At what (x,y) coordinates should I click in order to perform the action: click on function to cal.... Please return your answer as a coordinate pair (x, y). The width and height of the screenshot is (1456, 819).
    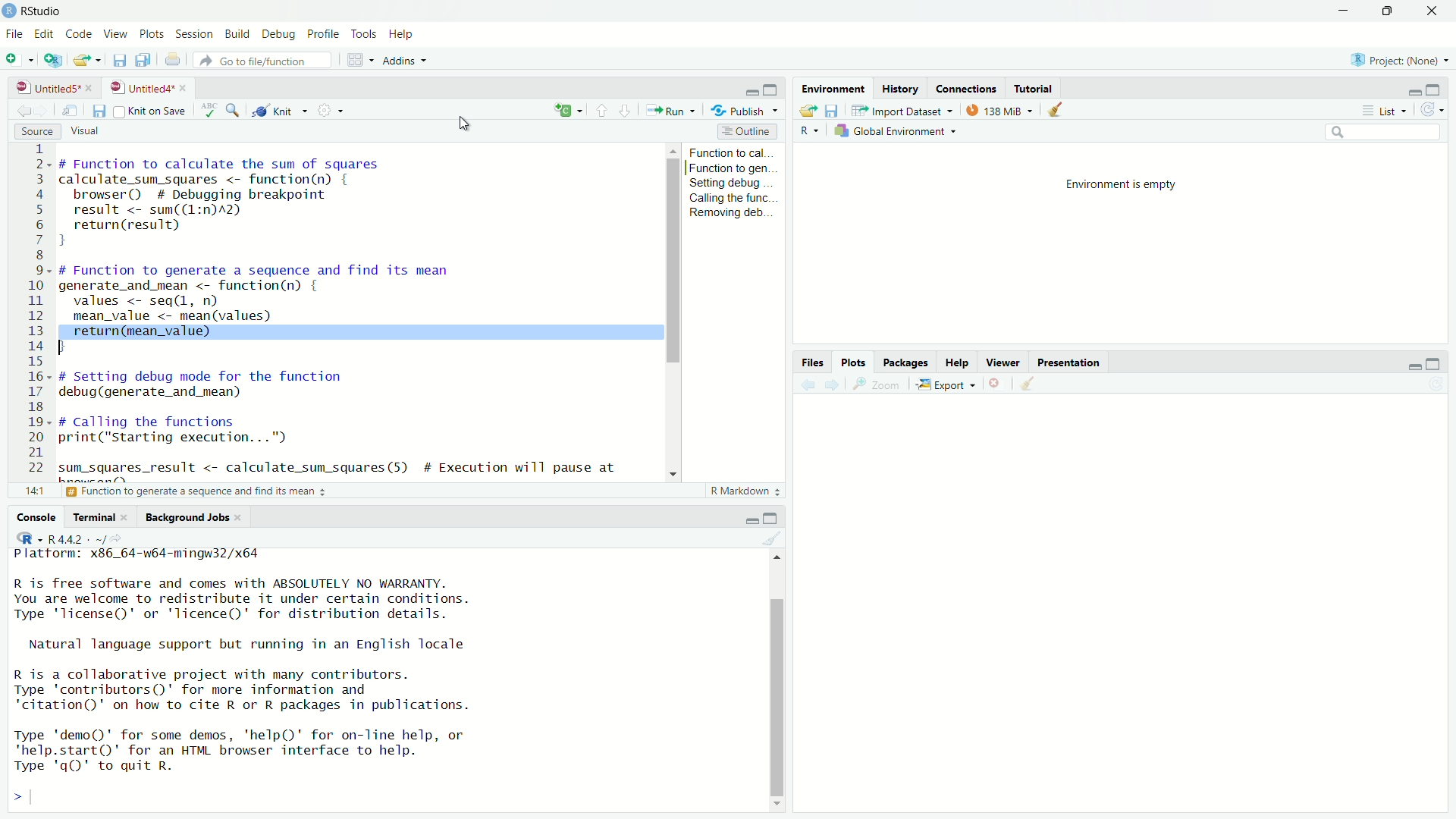
    Looking at the image, I should click on (731, 152).